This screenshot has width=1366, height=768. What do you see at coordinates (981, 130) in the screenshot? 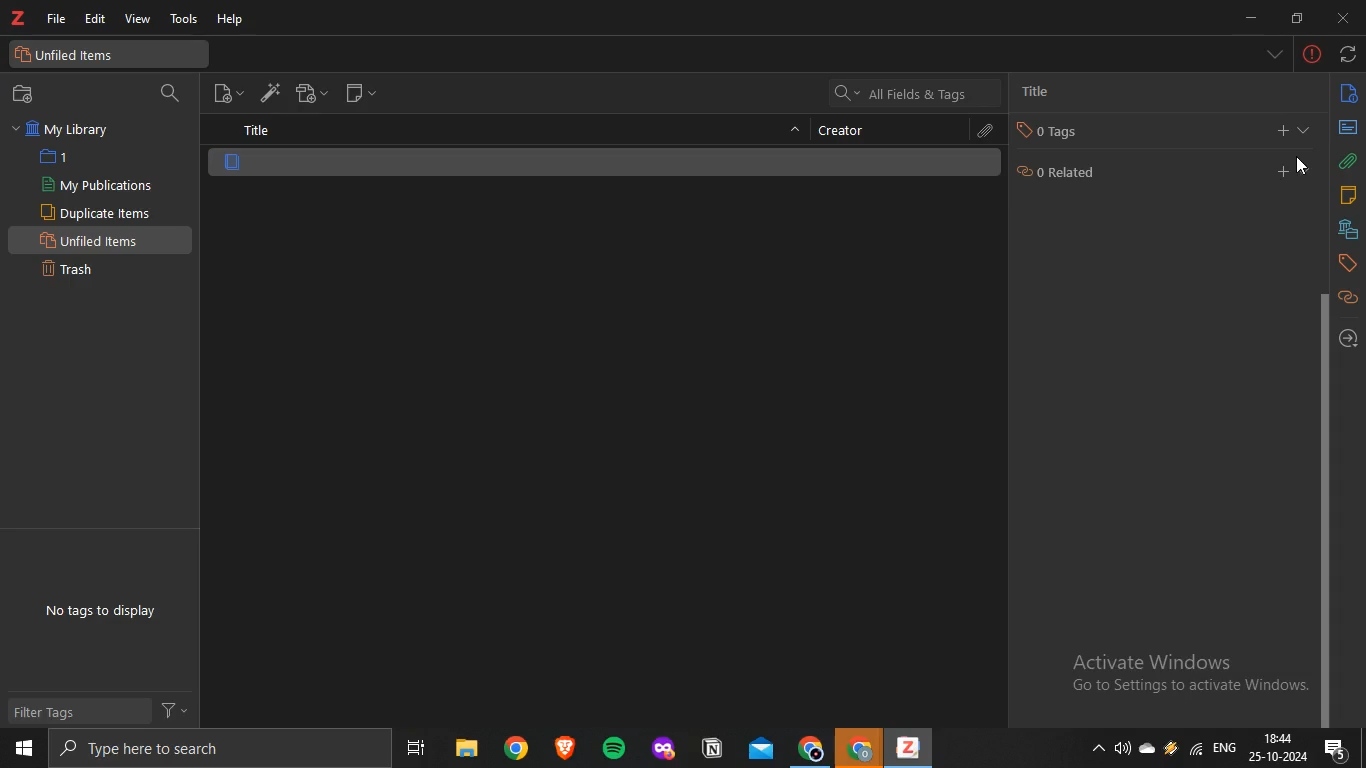
I see `attachments` at bounding box center [981, 130].